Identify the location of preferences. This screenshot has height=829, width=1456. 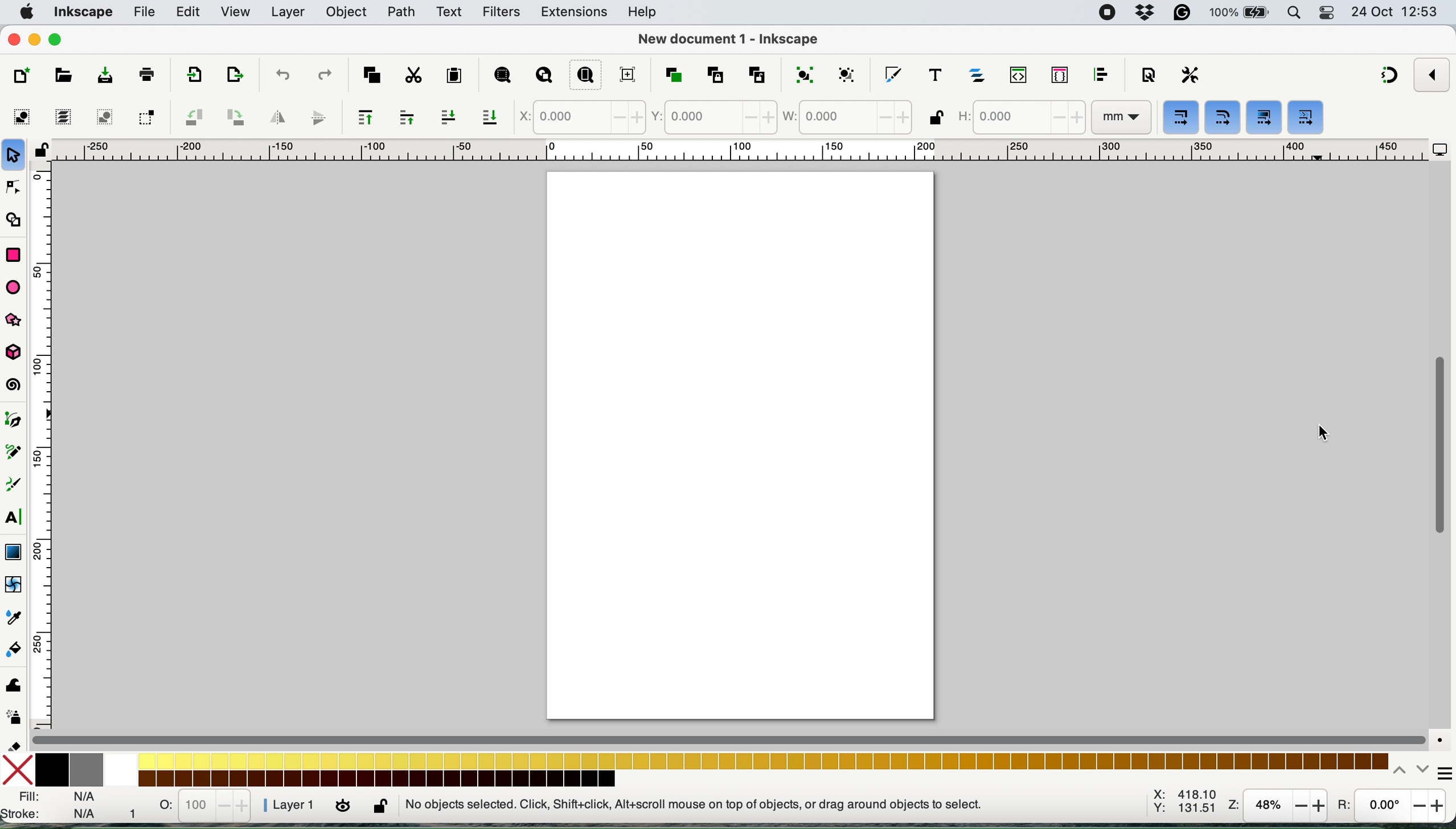
(1190, 74).